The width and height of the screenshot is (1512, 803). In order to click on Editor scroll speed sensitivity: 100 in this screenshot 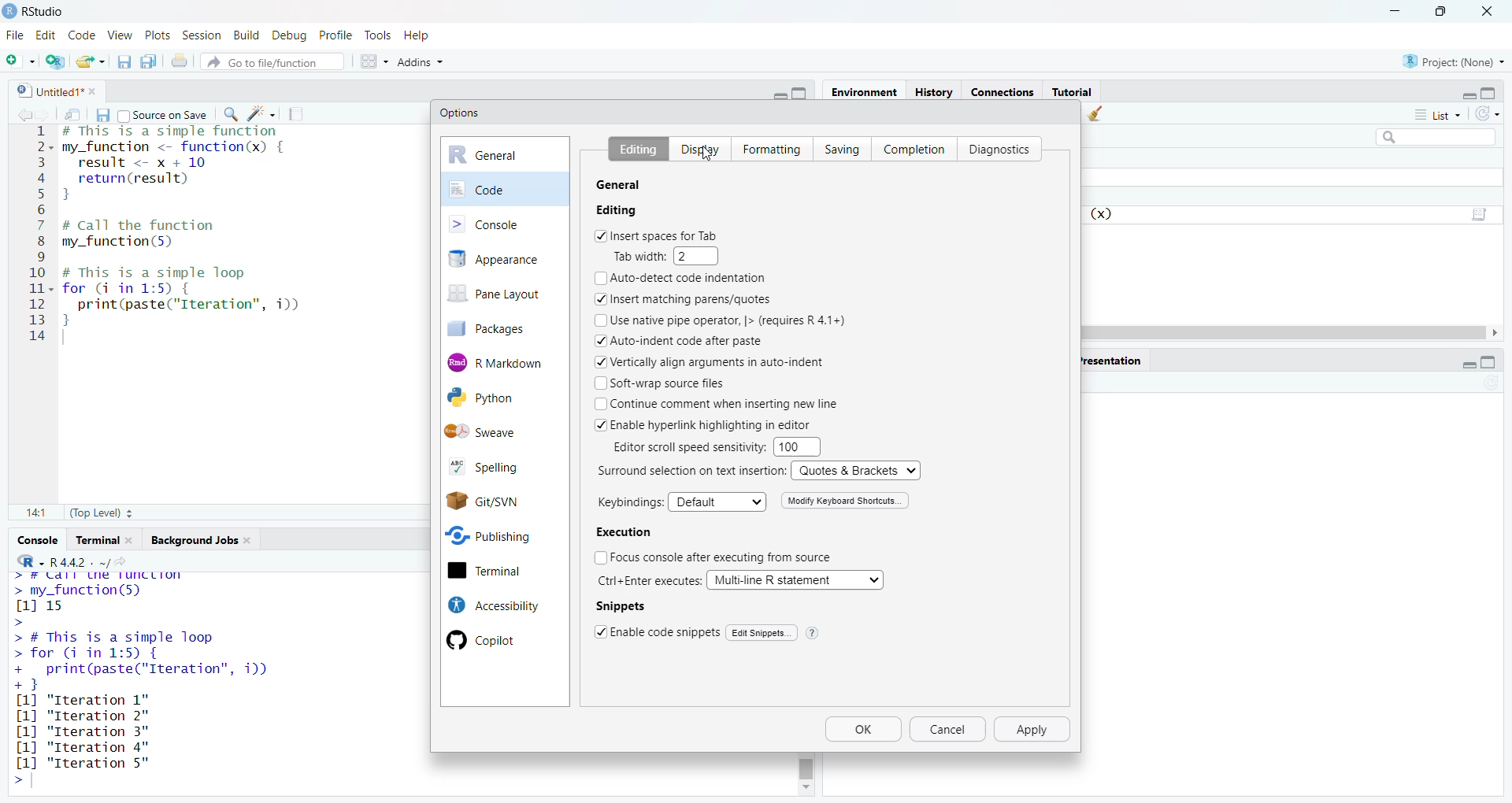, I will do `click(709, 447)`.